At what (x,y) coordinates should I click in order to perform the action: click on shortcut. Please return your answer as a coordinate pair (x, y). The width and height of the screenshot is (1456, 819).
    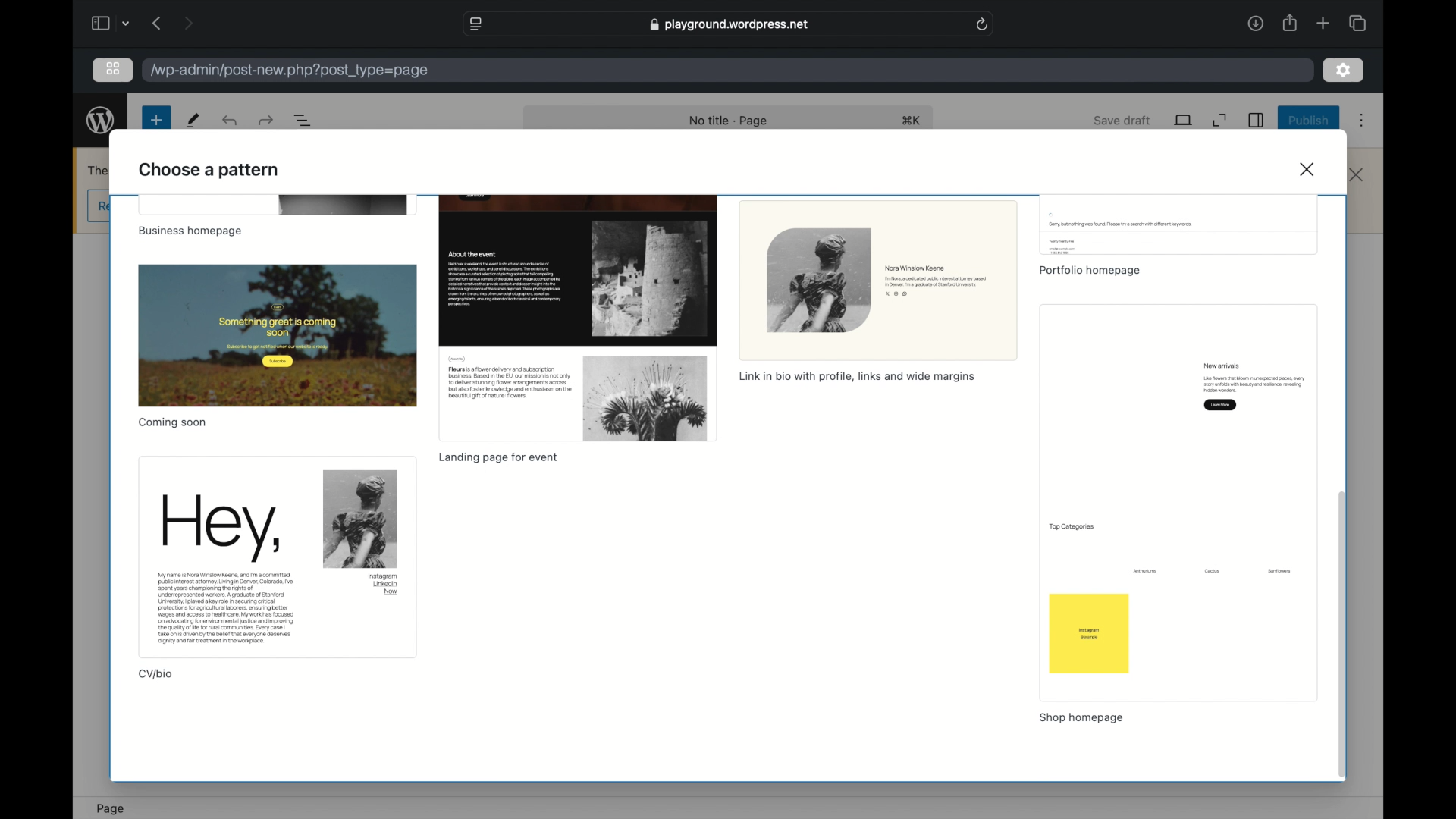
    Looking at the image, I should click on (912, 120).